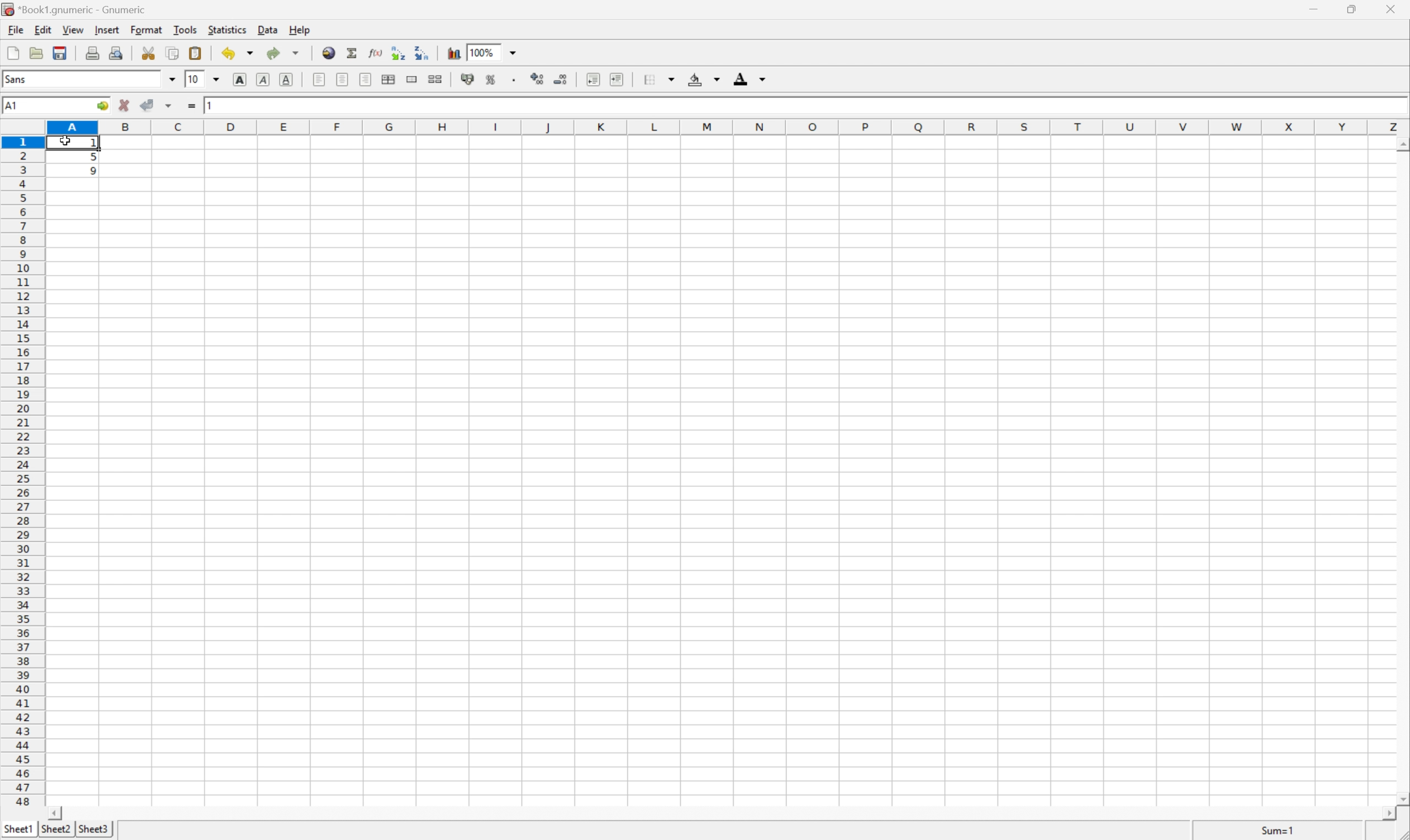 This screenshot has height=840, width=1410. Describe the element at coordinates (60, 53) in the screenshot. I see `save current workbook` at that location.